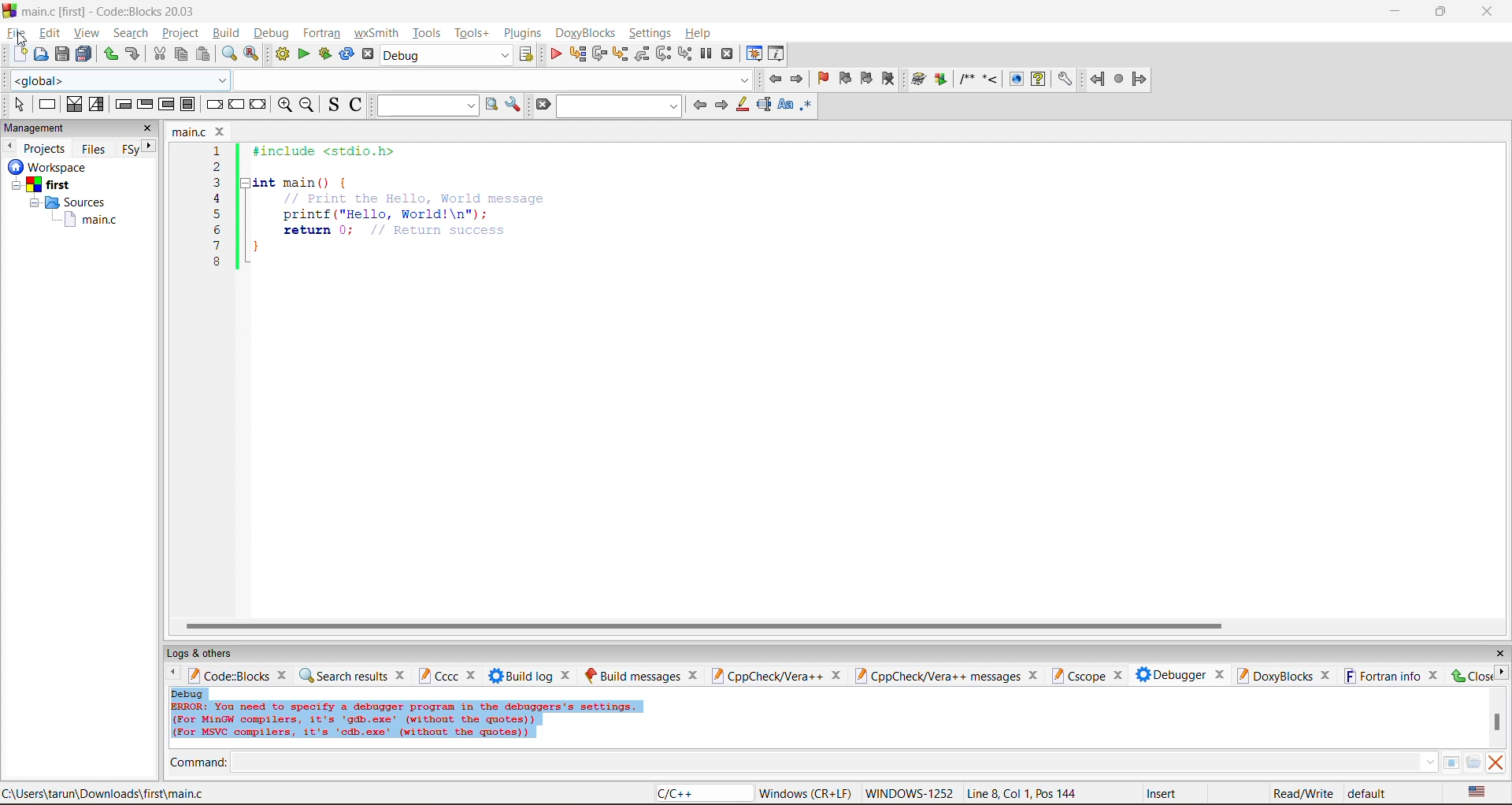 Image resolution: width=1512 pixels, height=805 pixels. I want to click on Error info, so click(406, 721).